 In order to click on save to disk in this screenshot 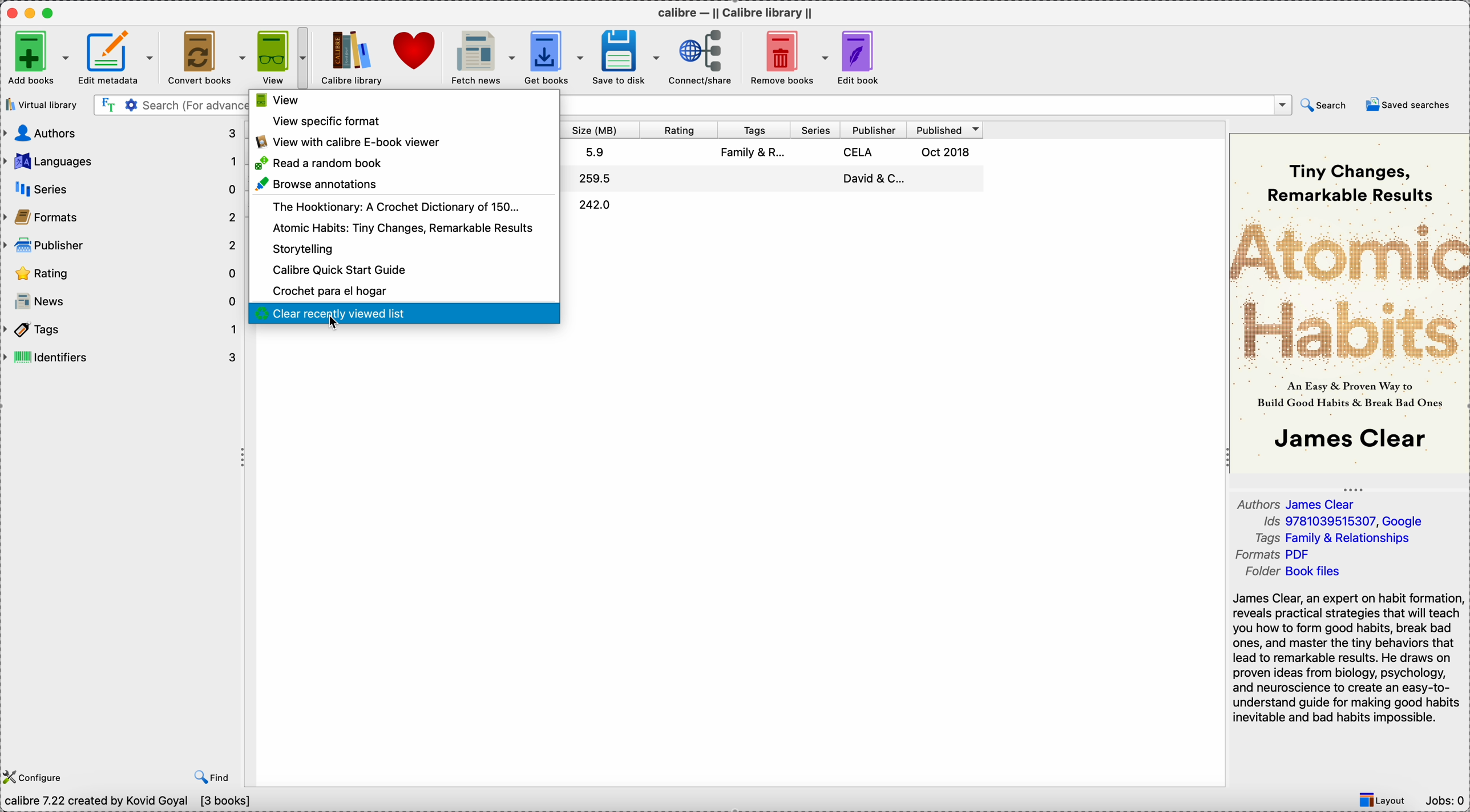, I will do `click(625, 58)`.